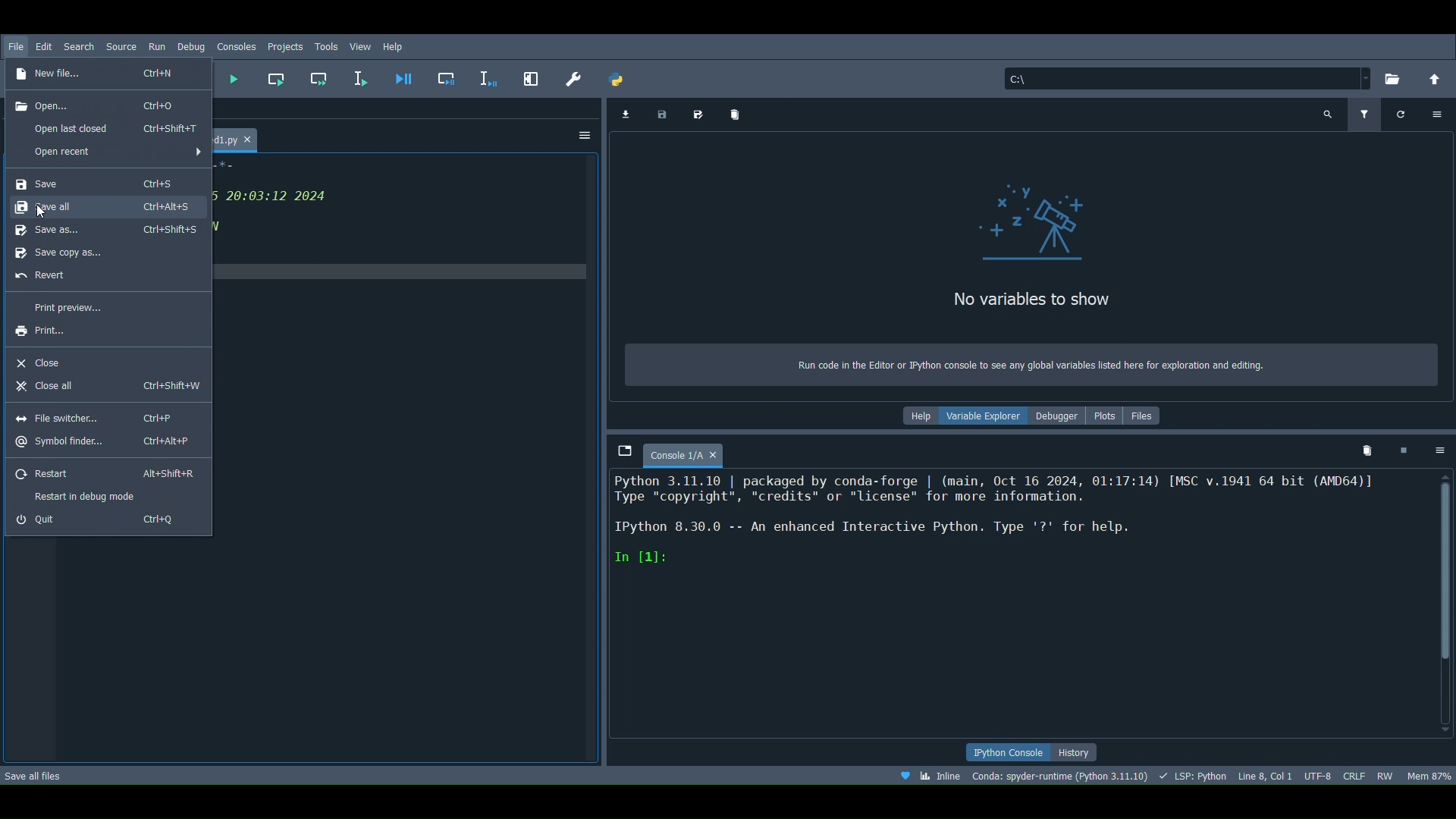 This screenshot has height=819, width=1456. What do you see at coordinates (1441, 449) in the screenshot?
I see `Options` at bounding box center [1441, 449].